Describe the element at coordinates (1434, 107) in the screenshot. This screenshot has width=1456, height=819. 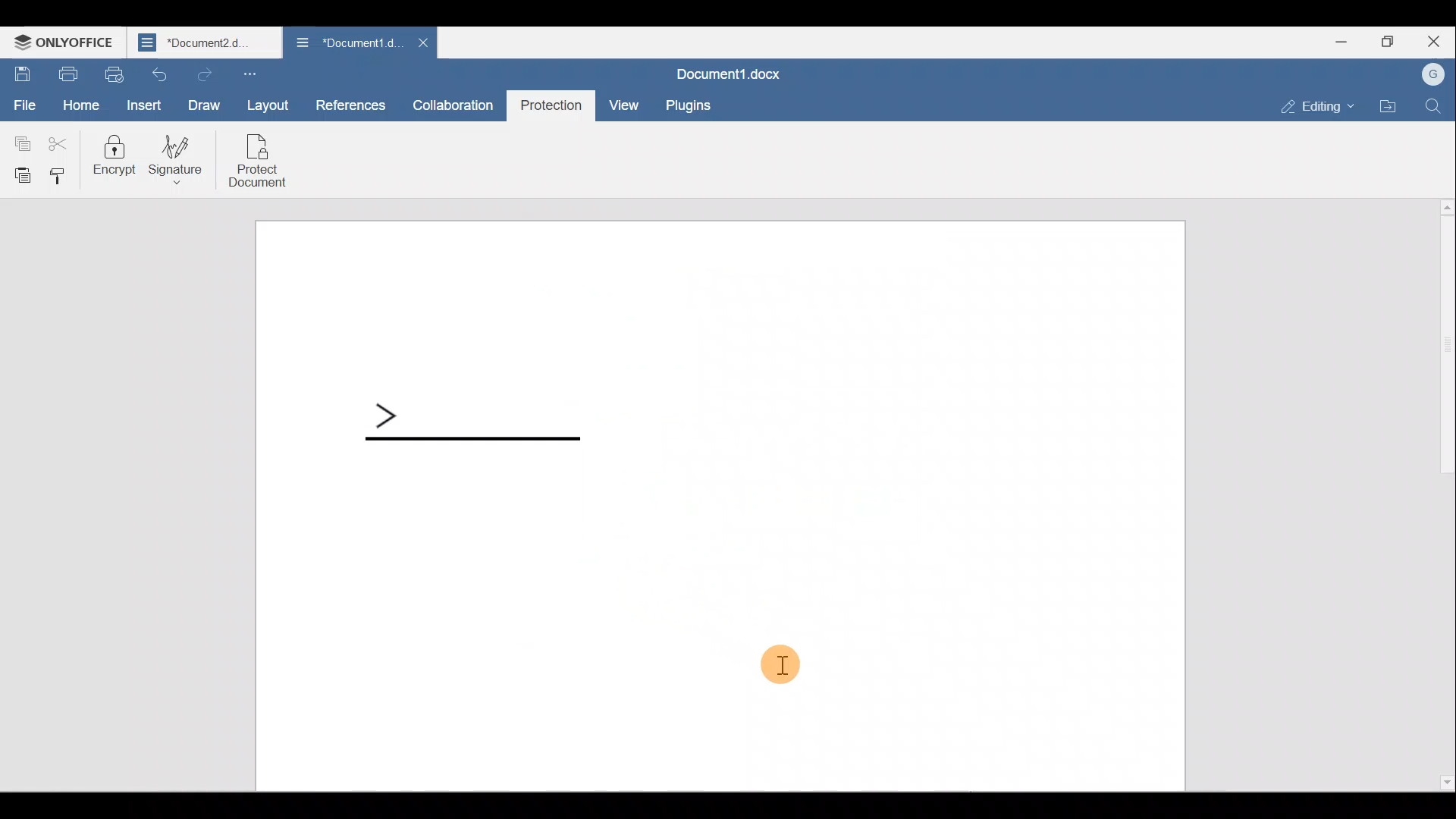
I see `Find` at that location.